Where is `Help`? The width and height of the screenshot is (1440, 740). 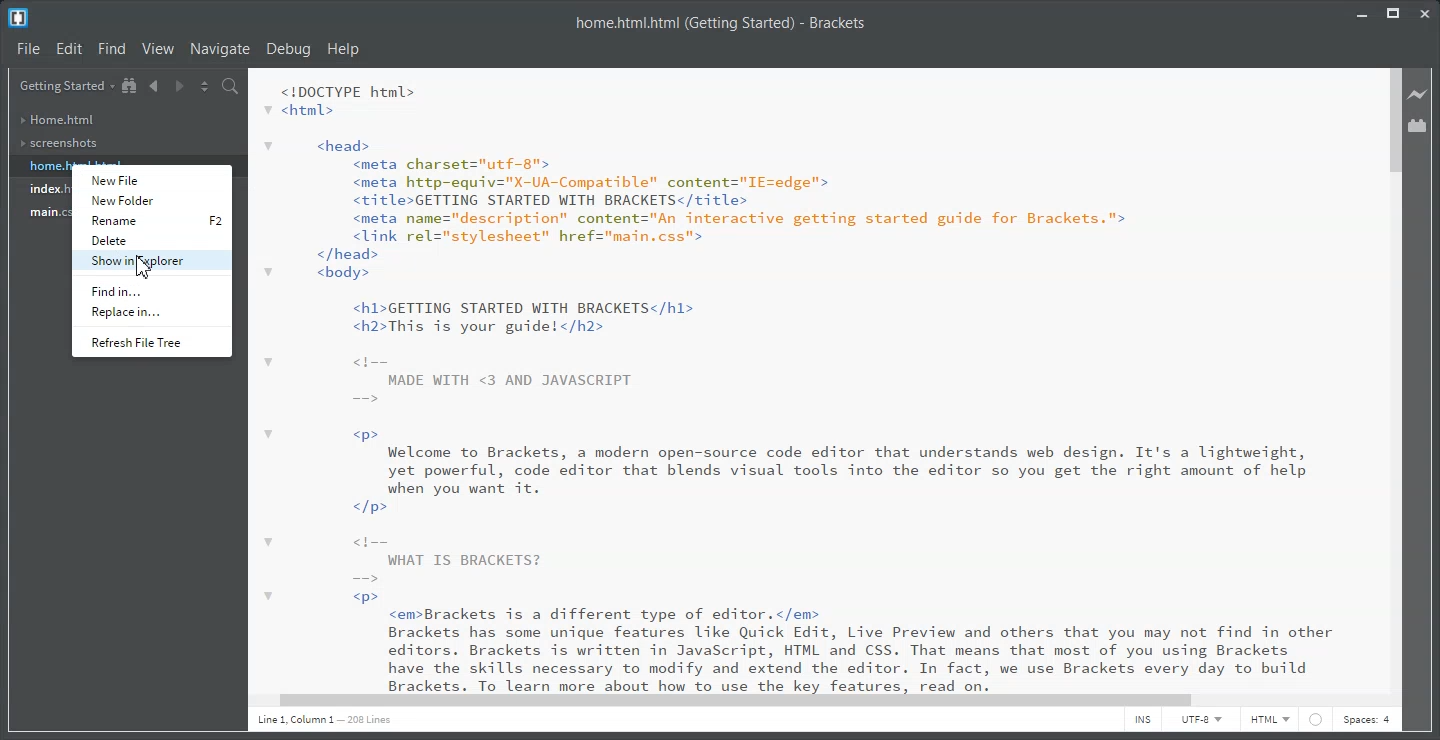
Help is located at coordinates (344, 49).